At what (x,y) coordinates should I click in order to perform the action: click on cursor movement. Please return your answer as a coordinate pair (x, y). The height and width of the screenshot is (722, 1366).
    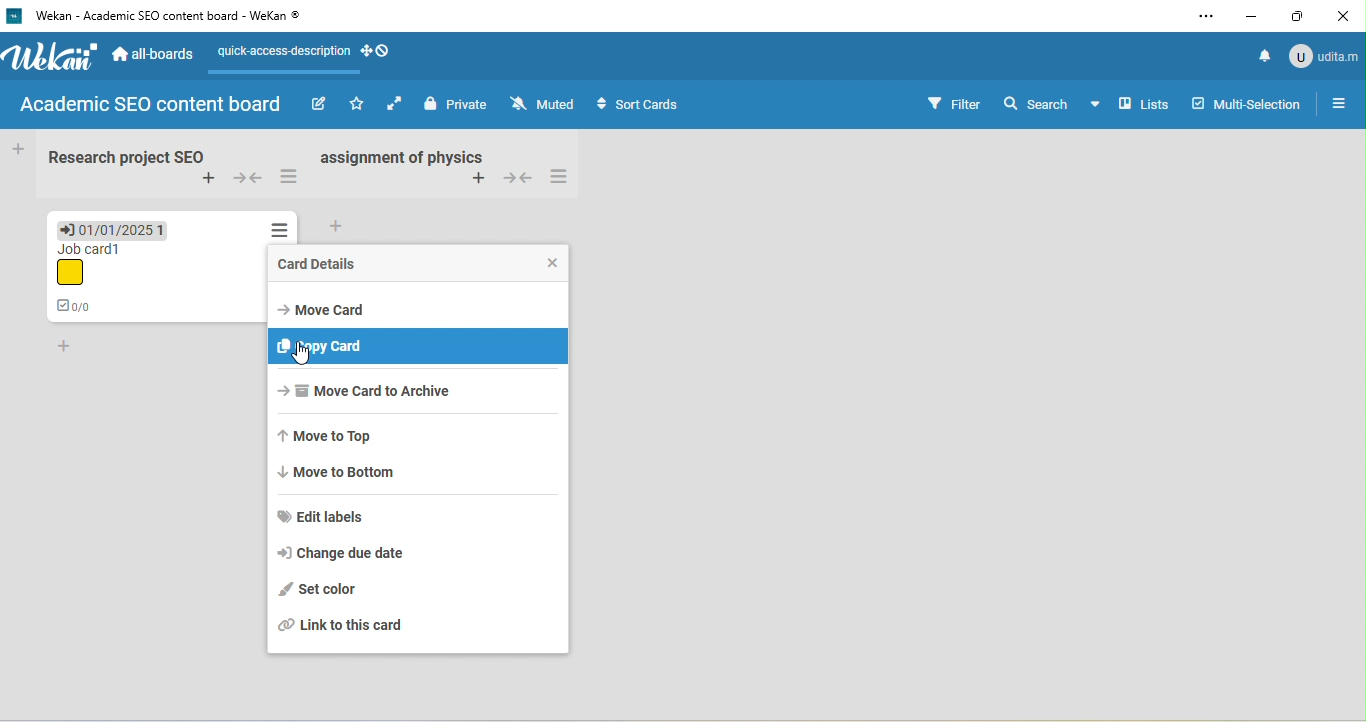
    Looking at the image, I should click on (300, 355).